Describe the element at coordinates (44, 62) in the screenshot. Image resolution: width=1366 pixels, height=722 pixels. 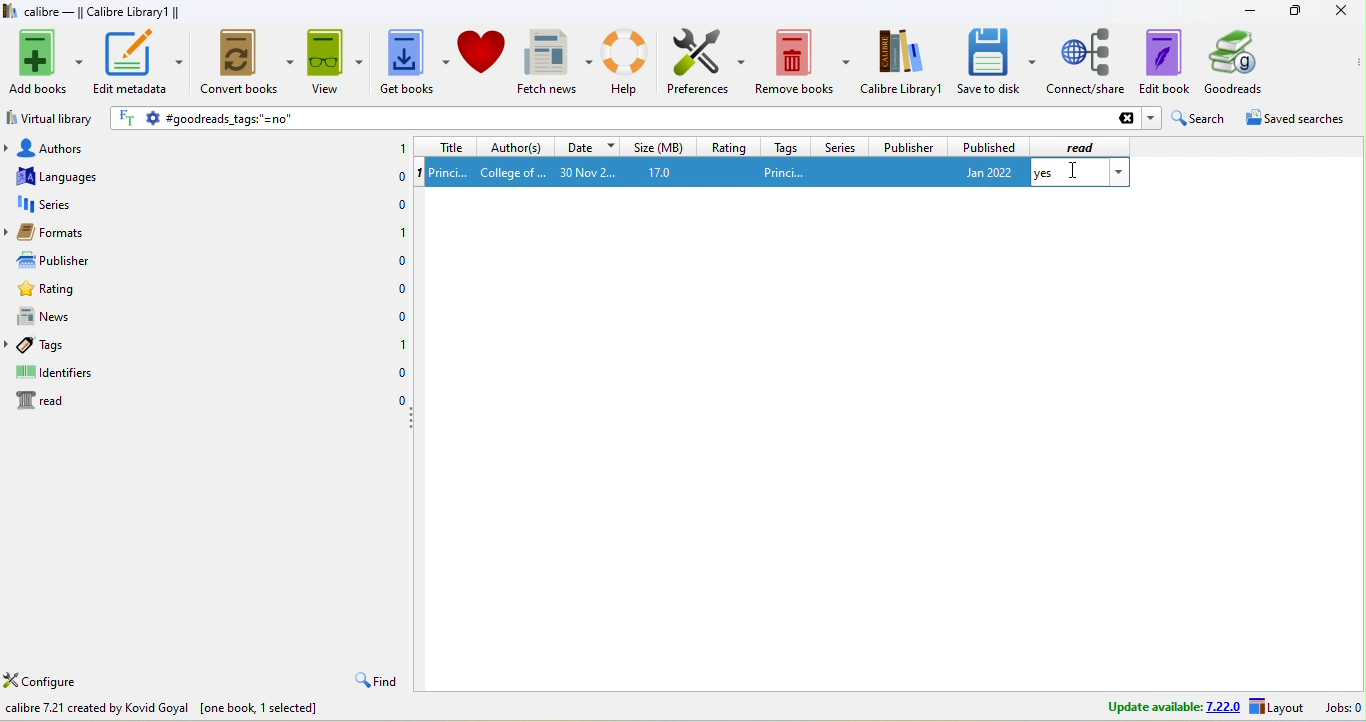
I see `add books` at that location.